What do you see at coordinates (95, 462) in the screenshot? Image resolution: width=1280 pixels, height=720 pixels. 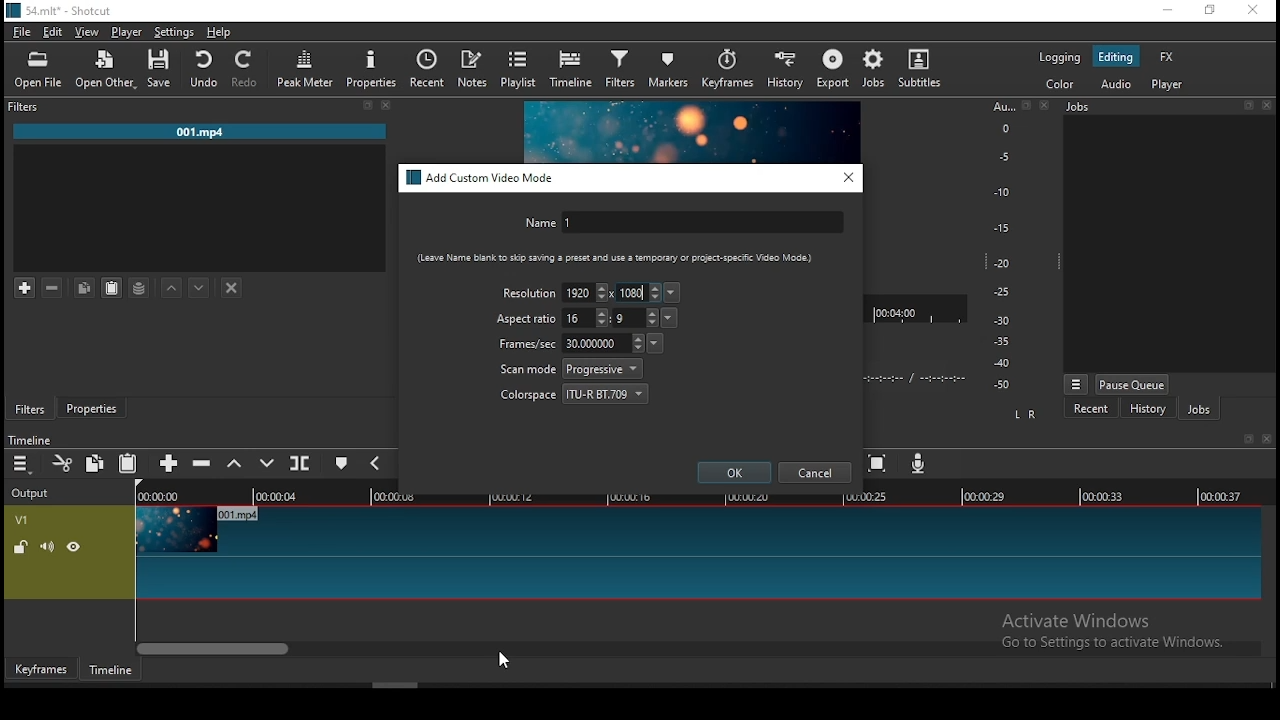 I see `copy` at bounding box center [95, 462].